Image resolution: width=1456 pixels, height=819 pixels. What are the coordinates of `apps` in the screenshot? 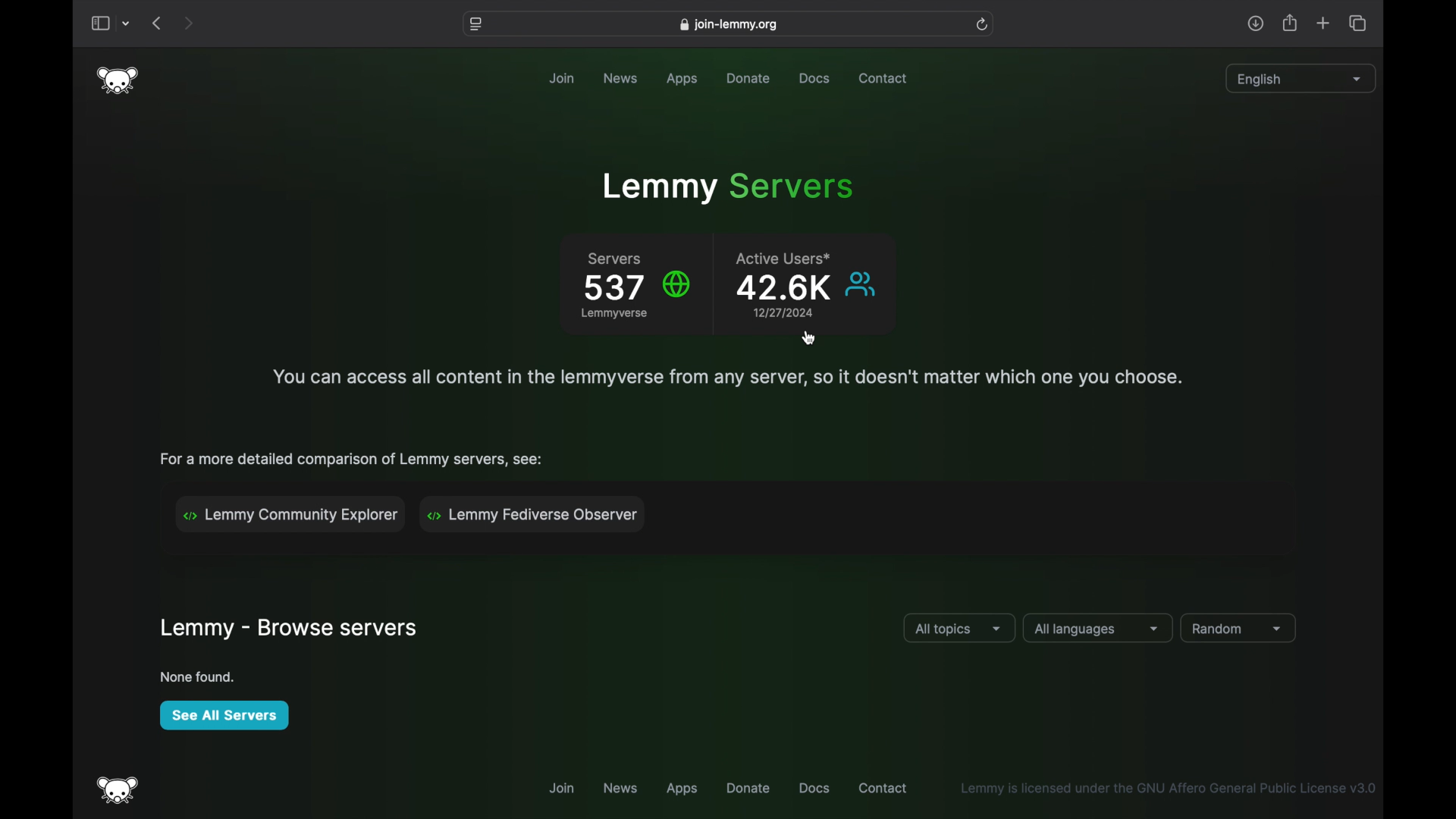 It's located at (682, 790).